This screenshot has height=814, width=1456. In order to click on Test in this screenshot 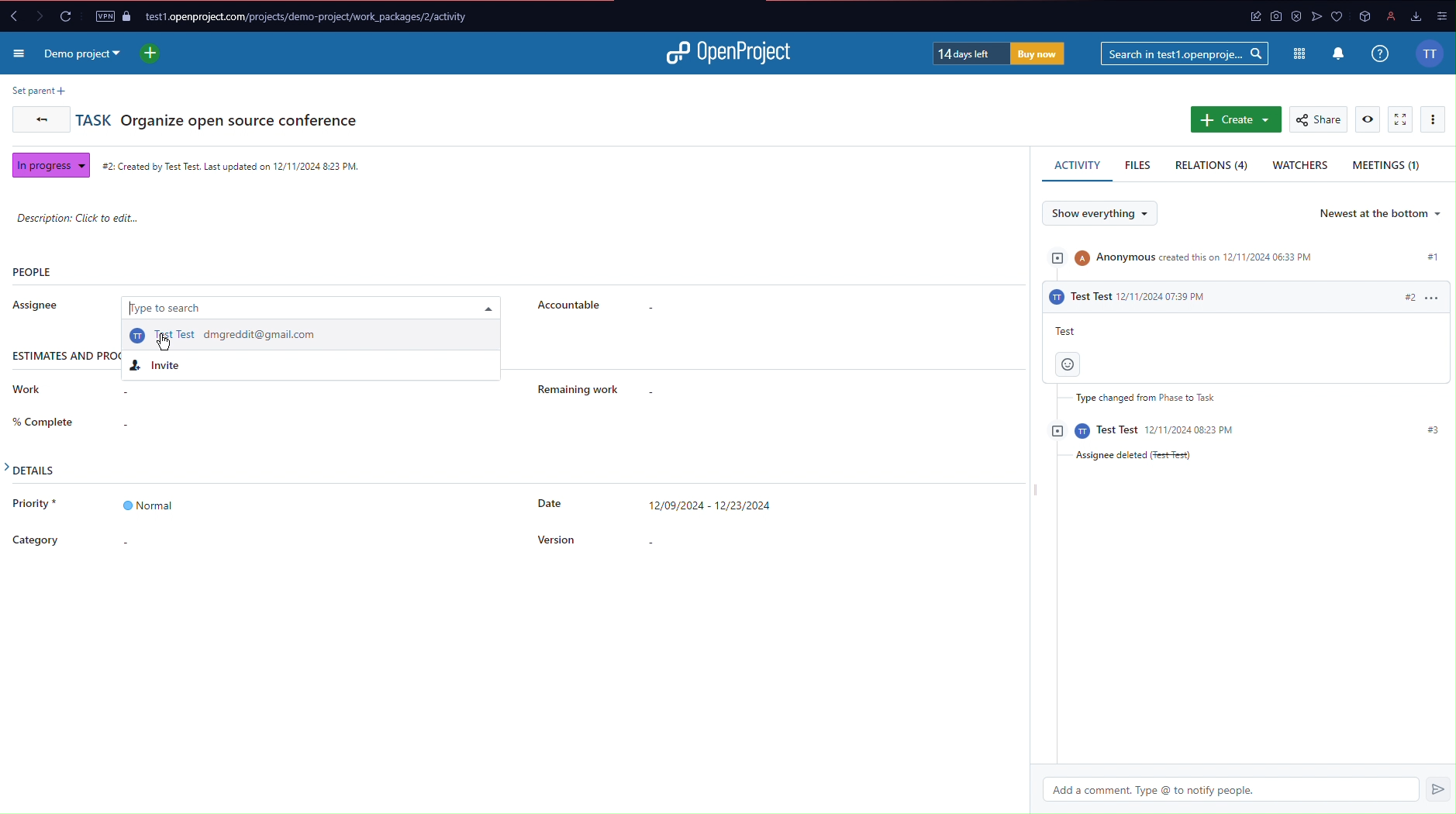, I will do `click(1067, 330)`.